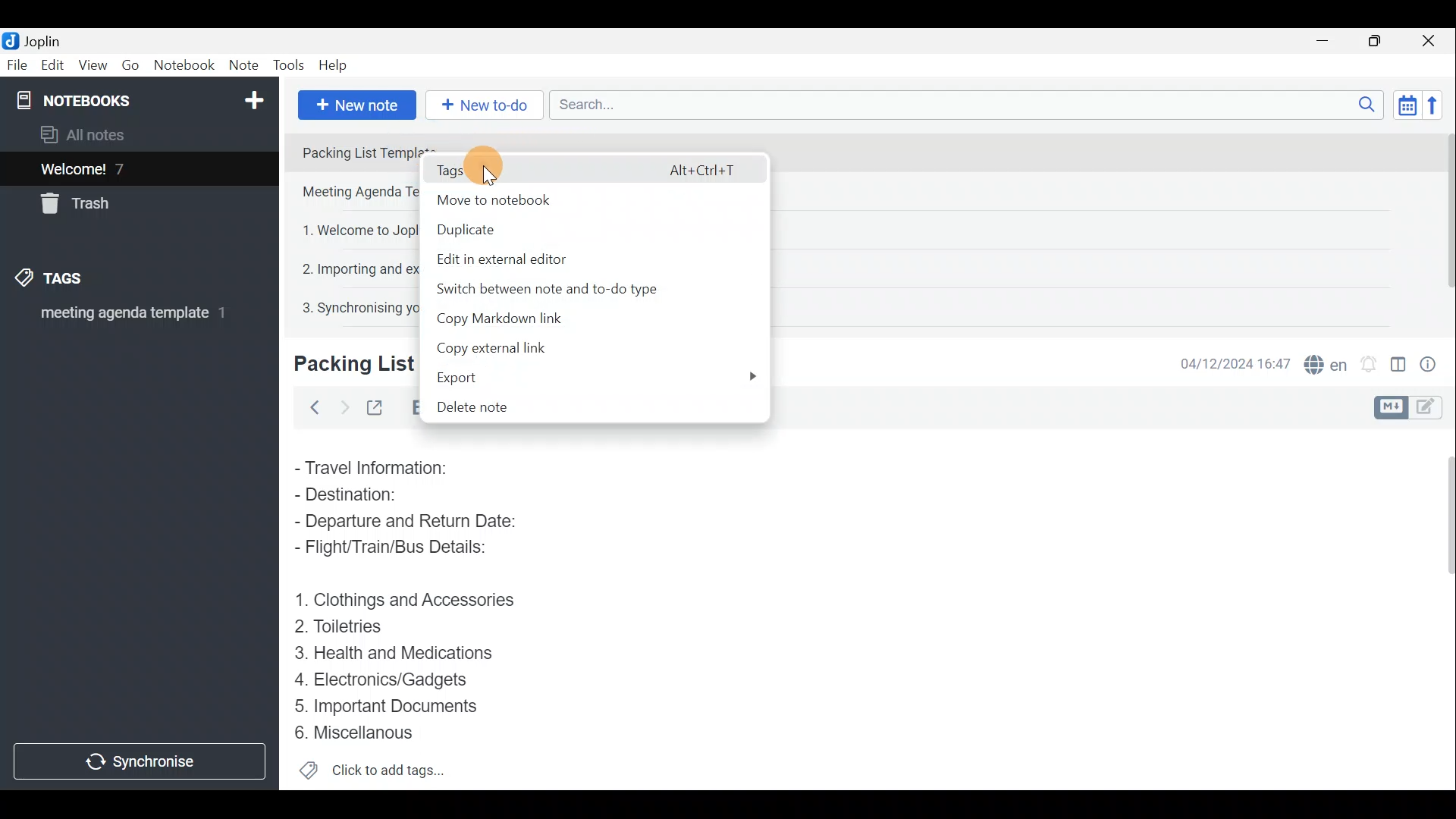 The image size is (1456, 819). I want to click on Travel Information:, so click(383, 466).